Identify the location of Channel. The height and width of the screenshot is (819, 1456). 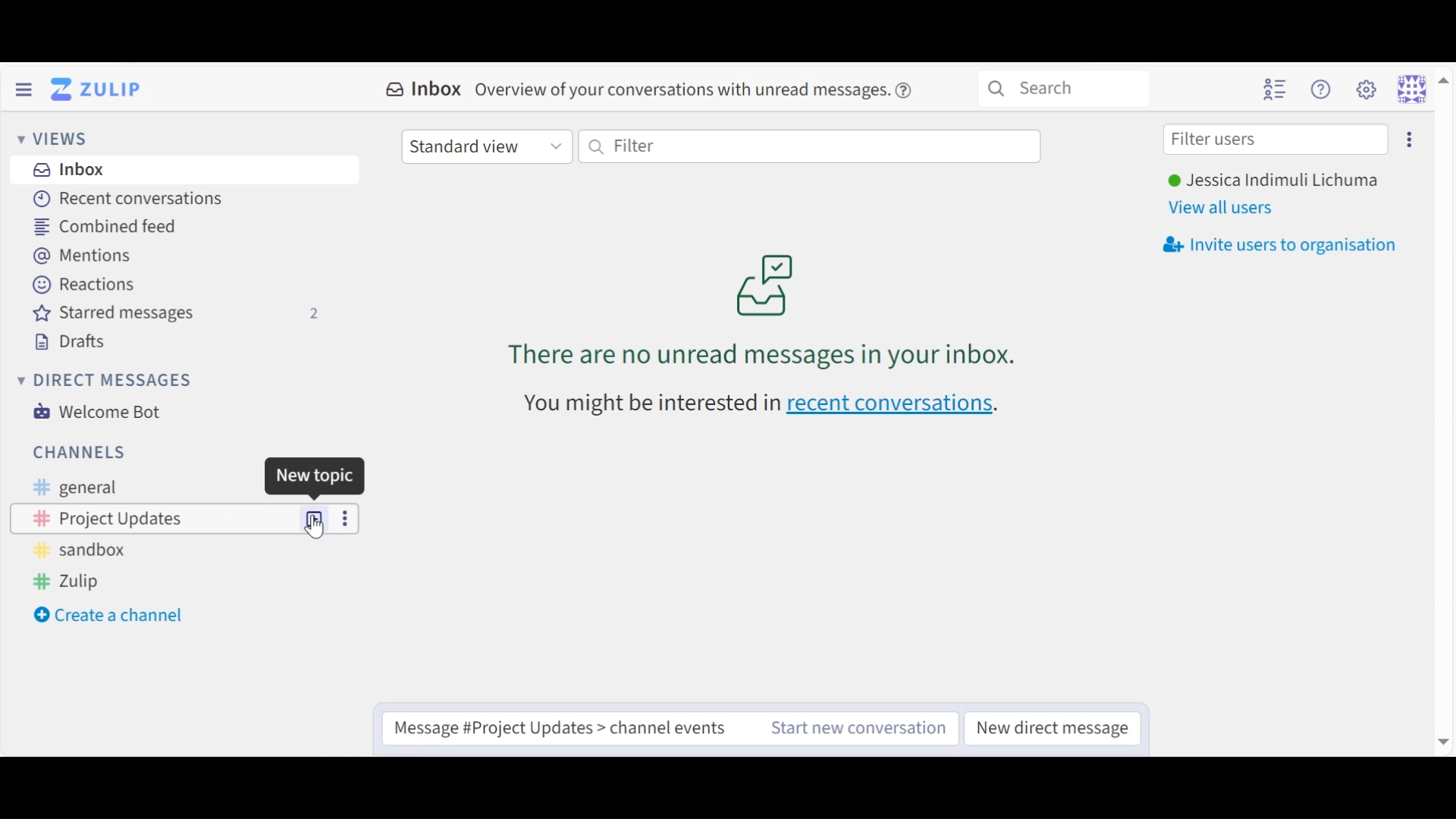
(80, 451).